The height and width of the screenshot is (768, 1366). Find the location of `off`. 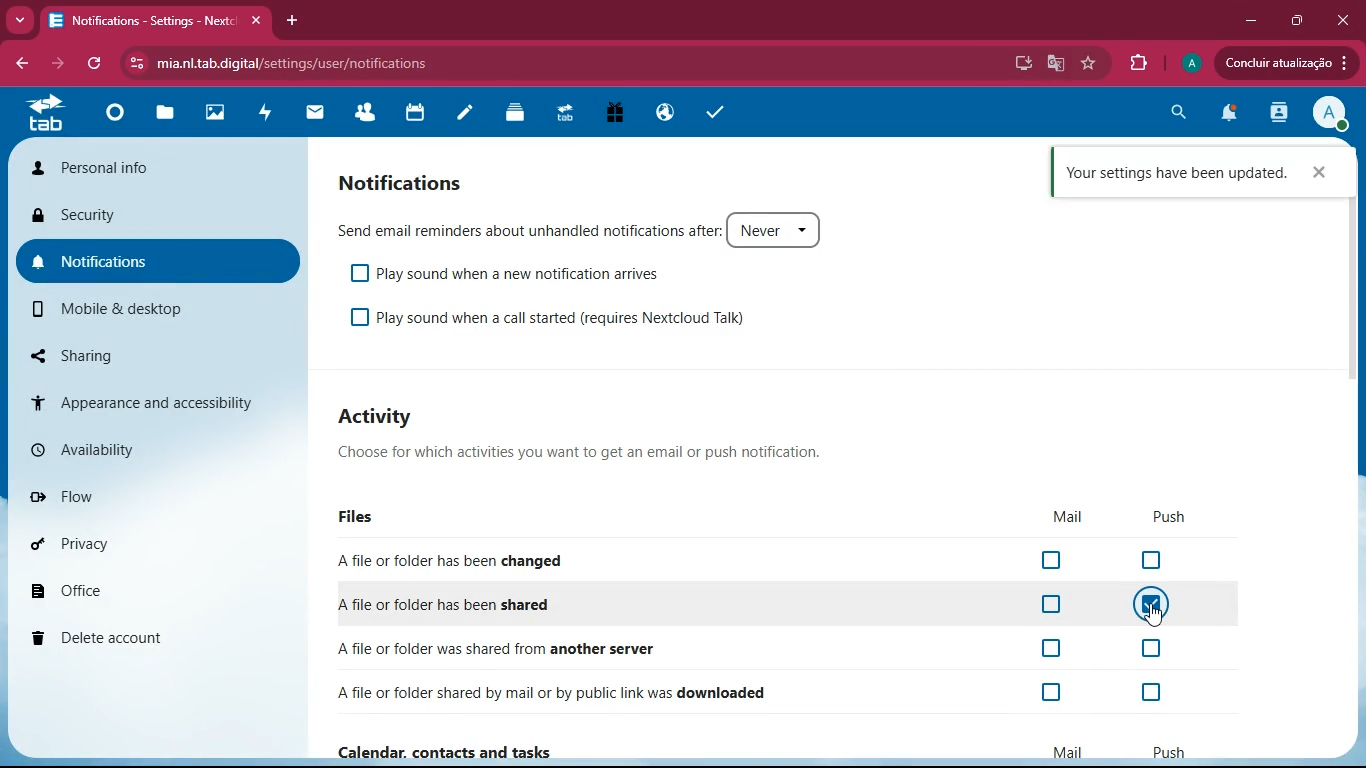

off is located at coordinates (1159, 694).